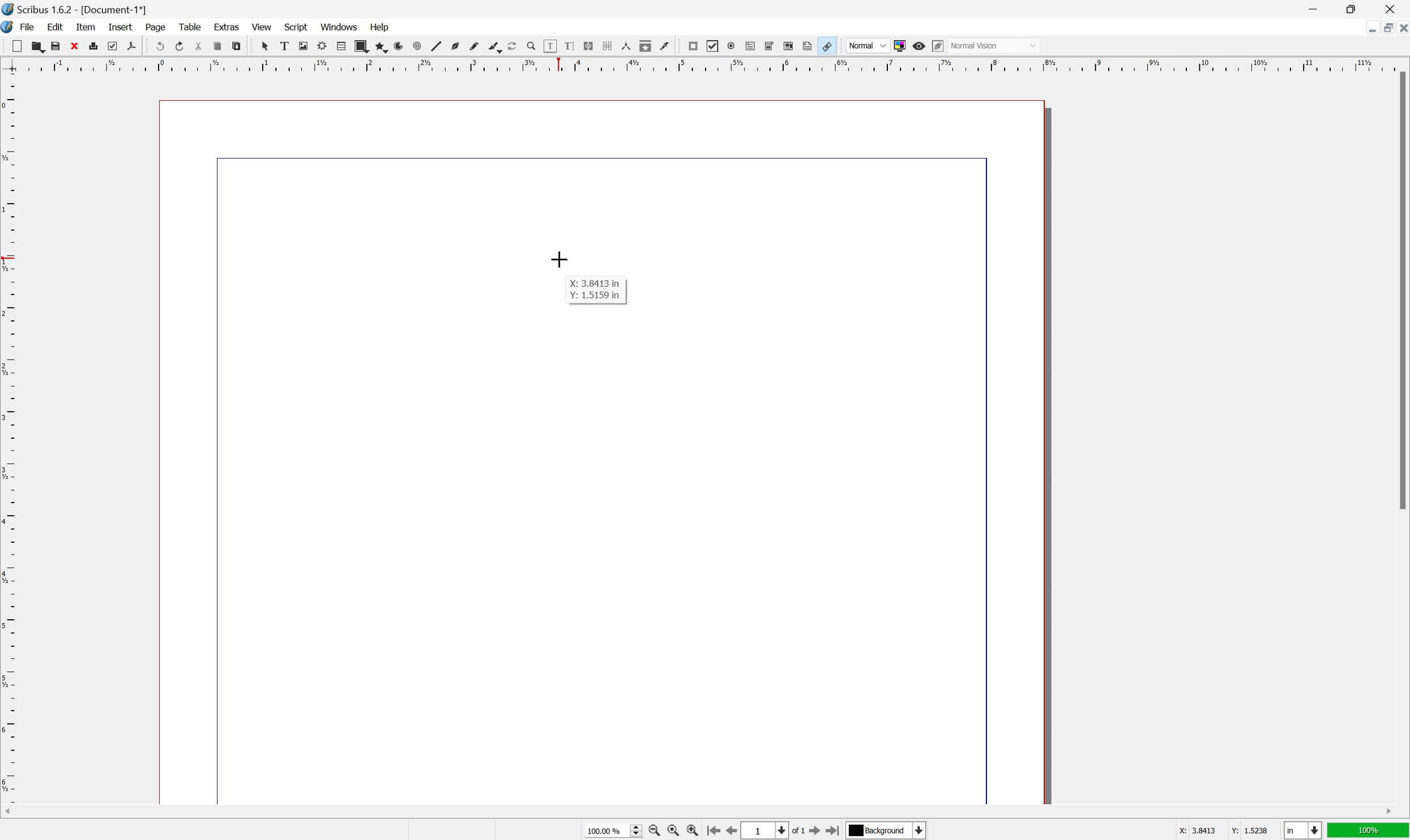  I want to click on scroll bar, so click(699, 812).